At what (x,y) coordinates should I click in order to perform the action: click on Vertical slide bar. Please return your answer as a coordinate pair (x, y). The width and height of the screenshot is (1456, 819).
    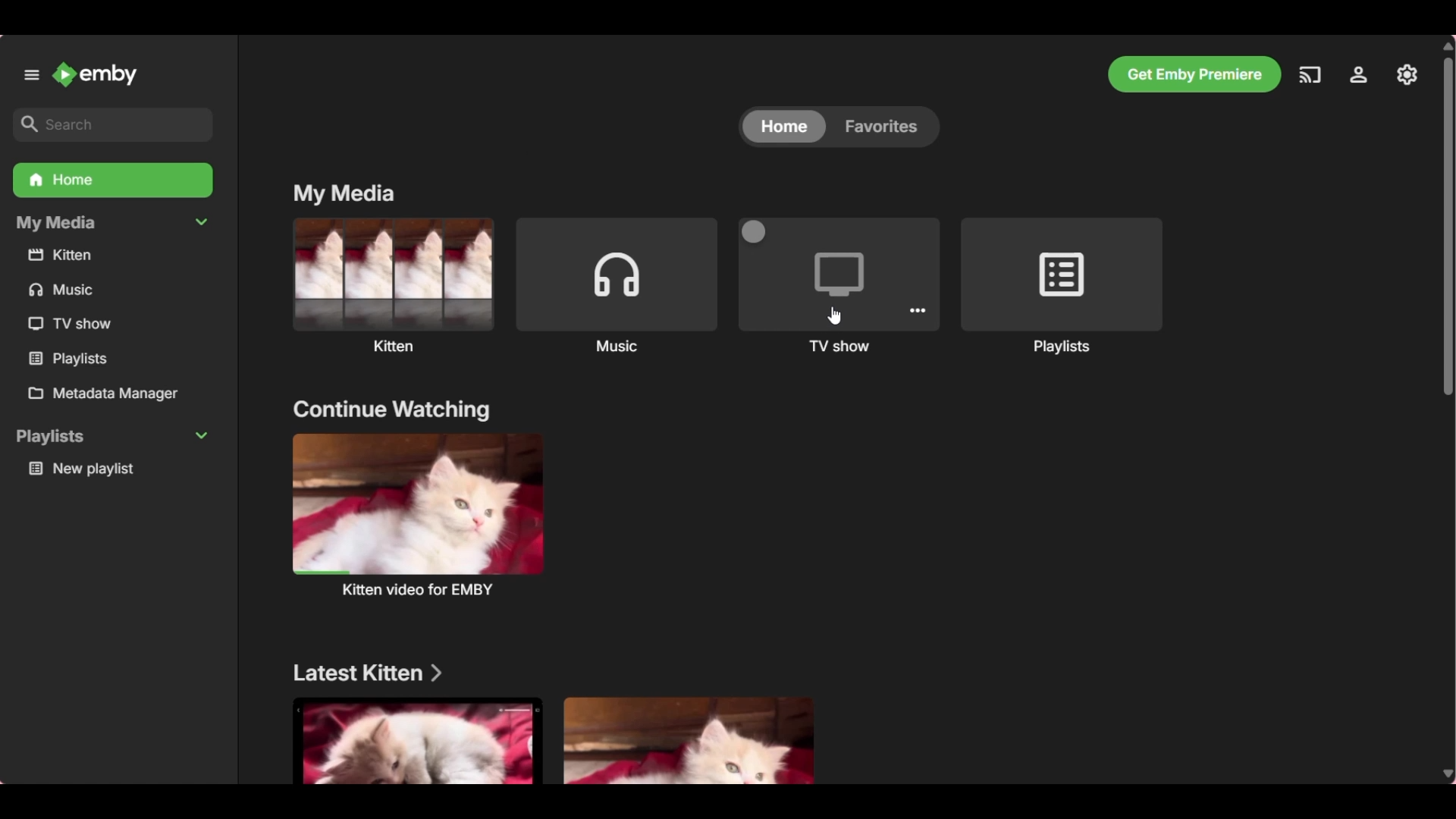
    Looking at the image, I should click on (1447, 226).